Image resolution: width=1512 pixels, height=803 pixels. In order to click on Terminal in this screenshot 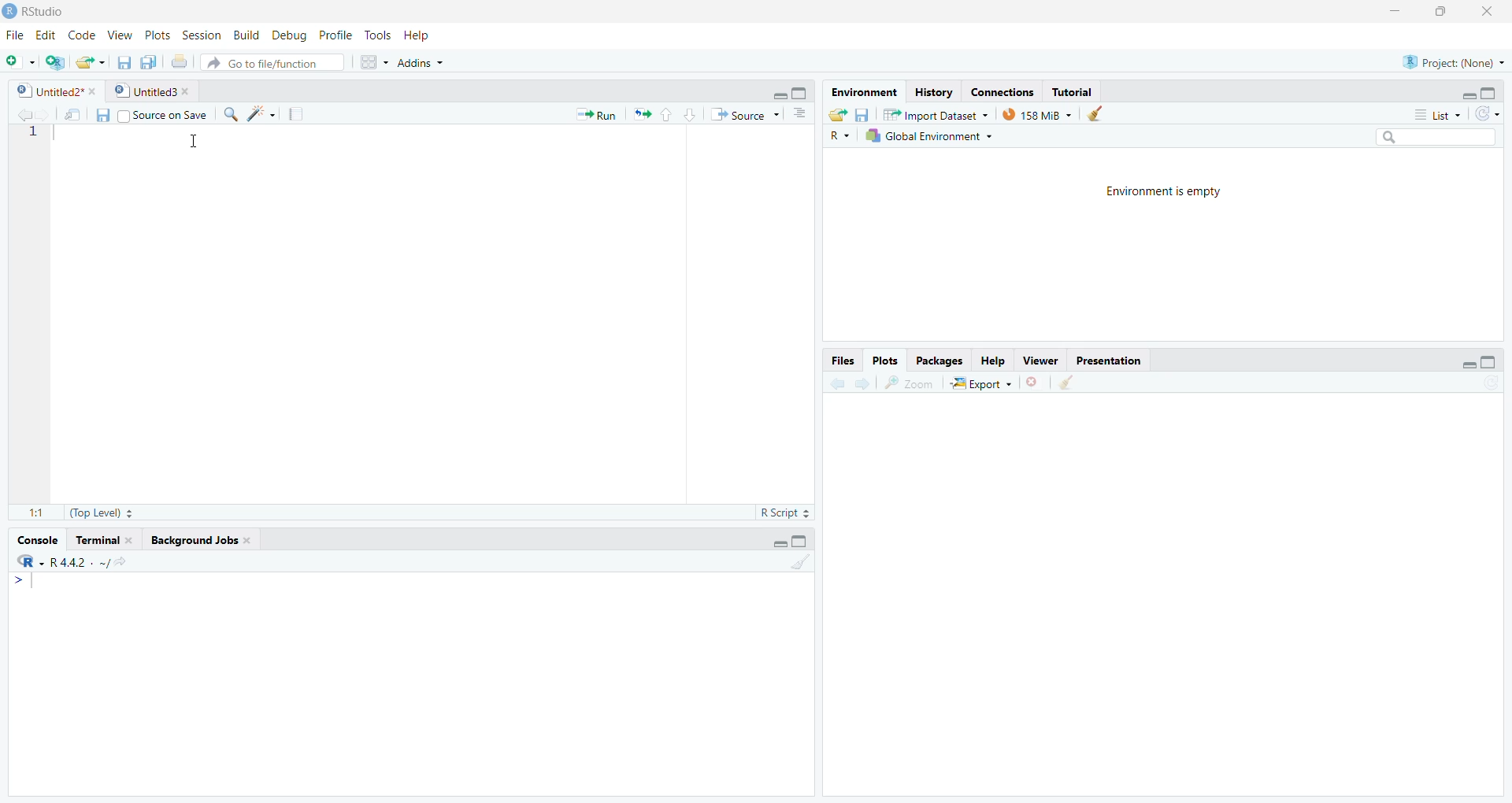, I will do `click(105, 538)`.